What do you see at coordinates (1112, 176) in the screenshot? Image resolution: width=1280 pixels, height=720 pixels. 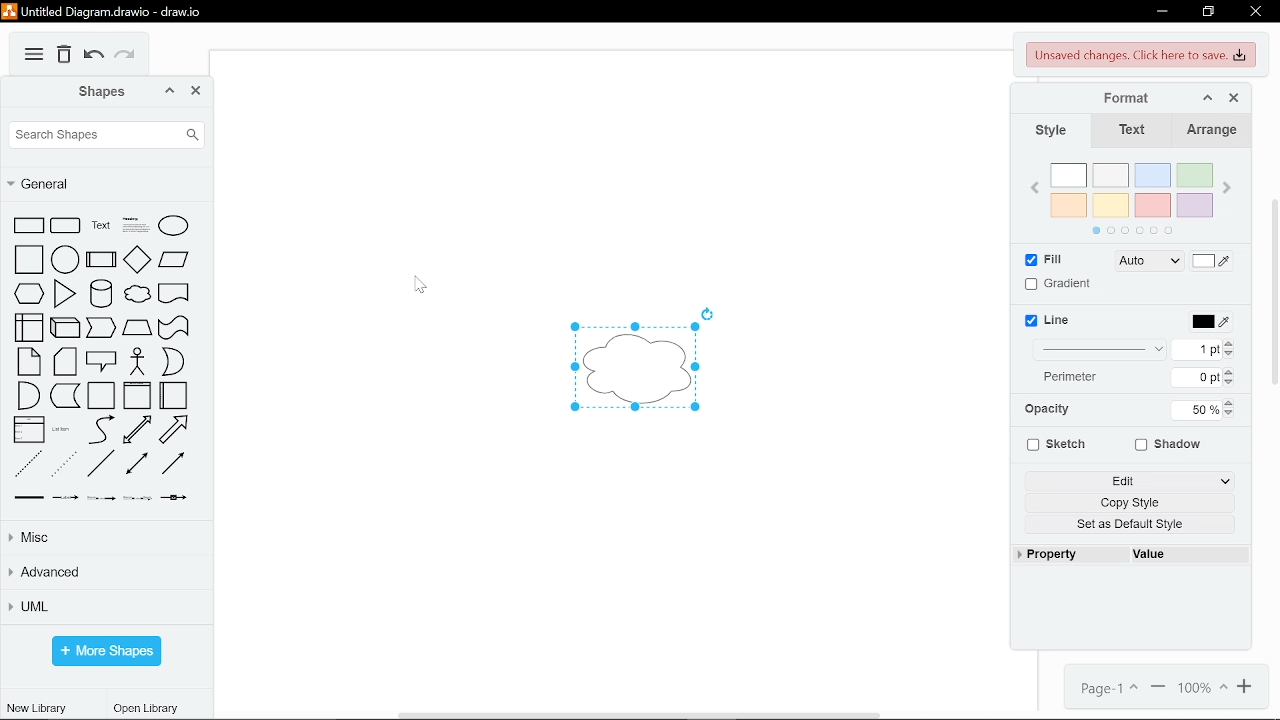 I see `ash` at bounding box center [1112, 176].